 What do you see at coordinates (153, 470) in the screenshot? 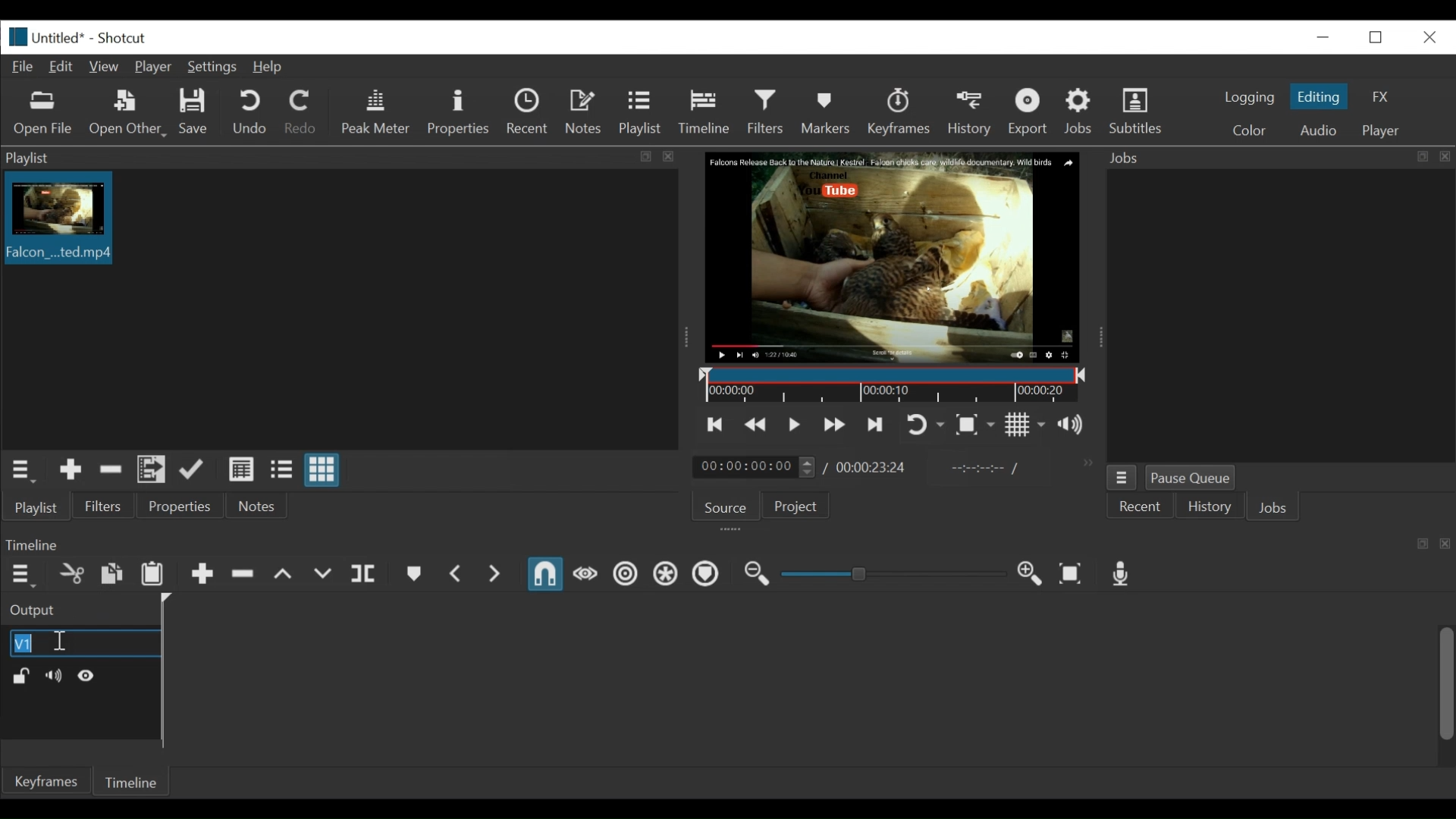
I see `Add files to the playlist` at bounding box center [153, 470].